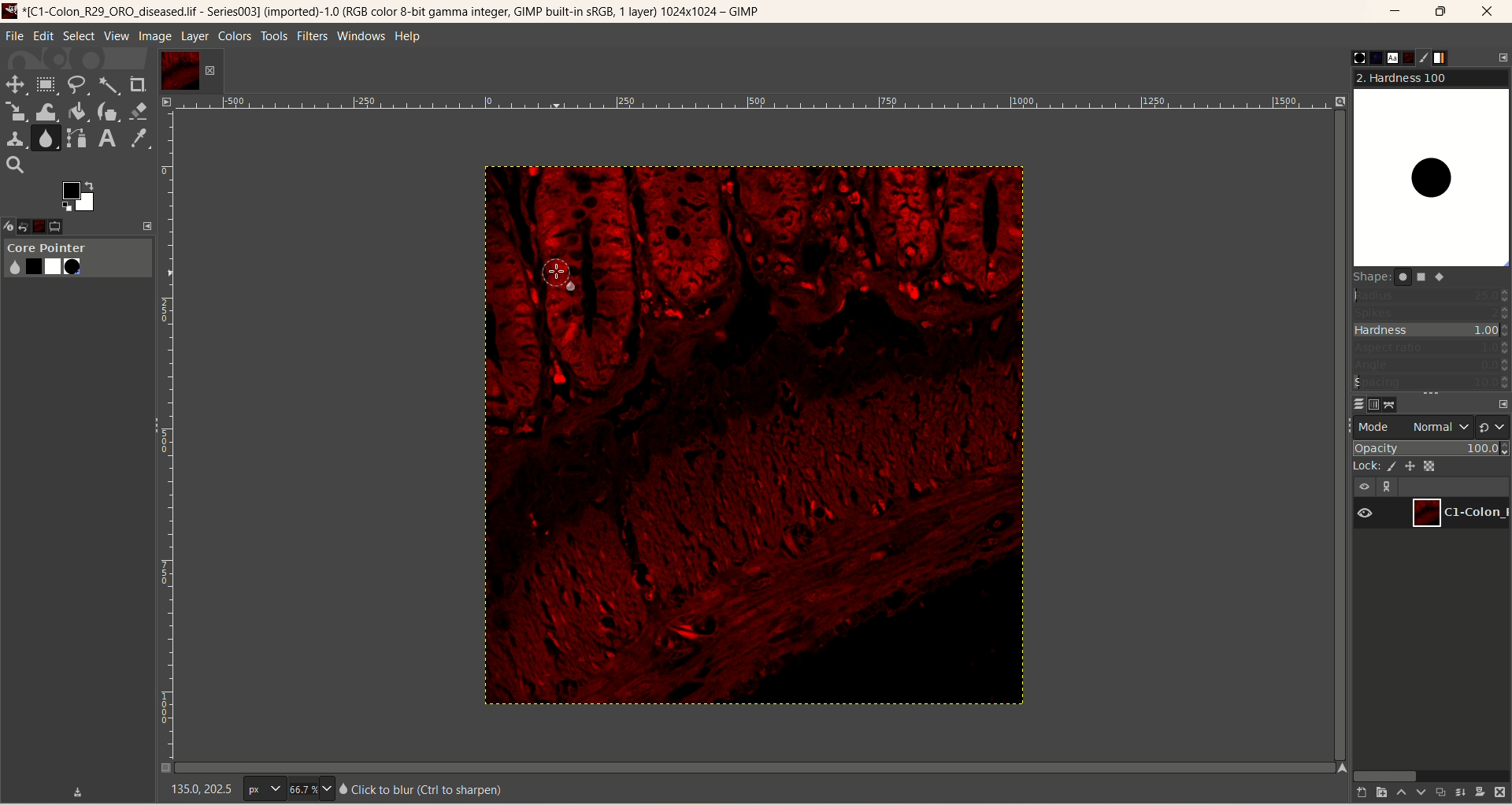 The width and height of the screenshot is (1512, 805). What do you see at coordinates (1432, 311) in the screenshot?
I see `spikes` at bounding box center [1432, 311].